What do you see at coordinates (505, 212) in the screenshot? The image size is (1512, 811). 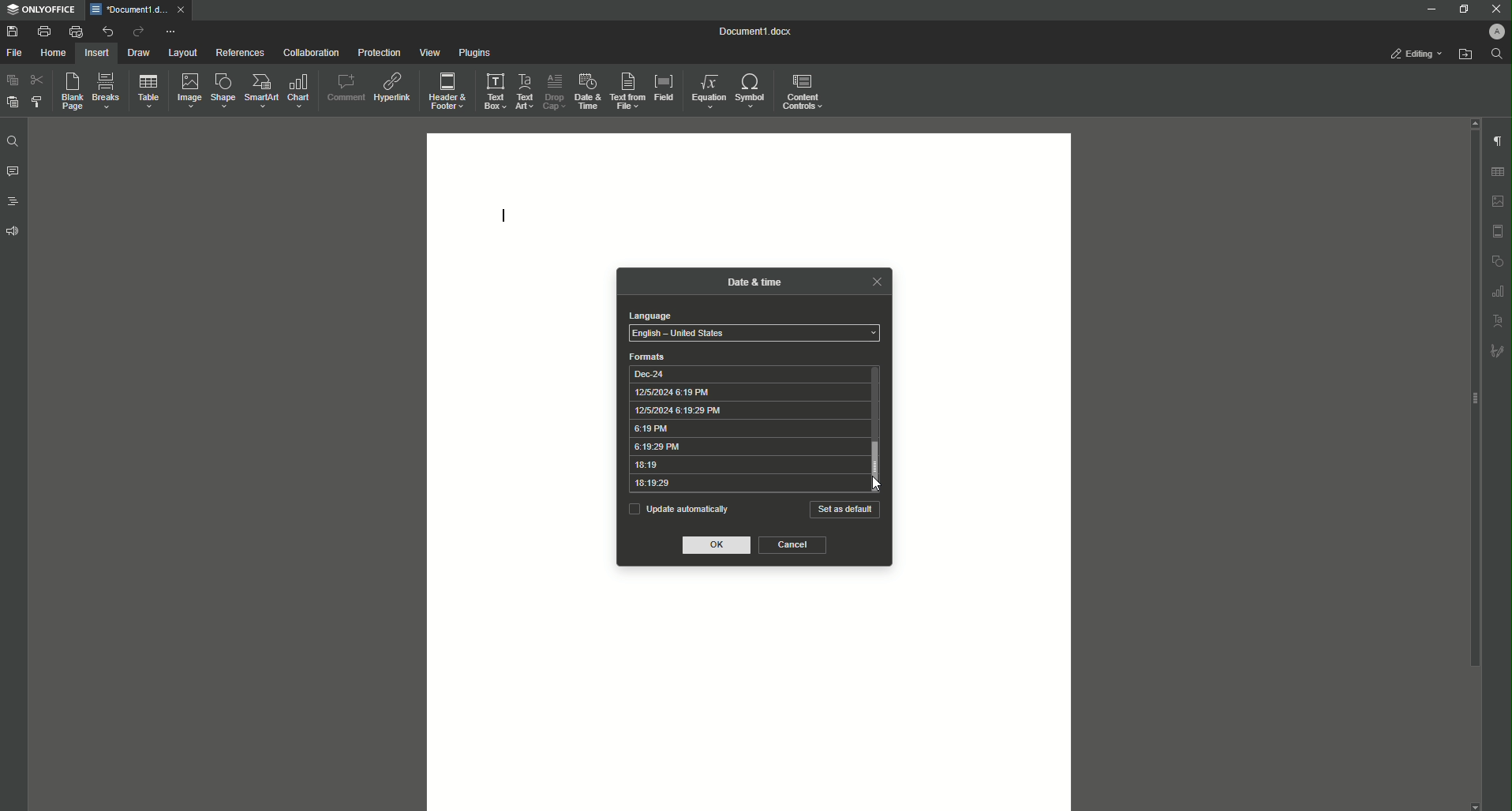 I see `Text Line` at bounding box center [505, 212].